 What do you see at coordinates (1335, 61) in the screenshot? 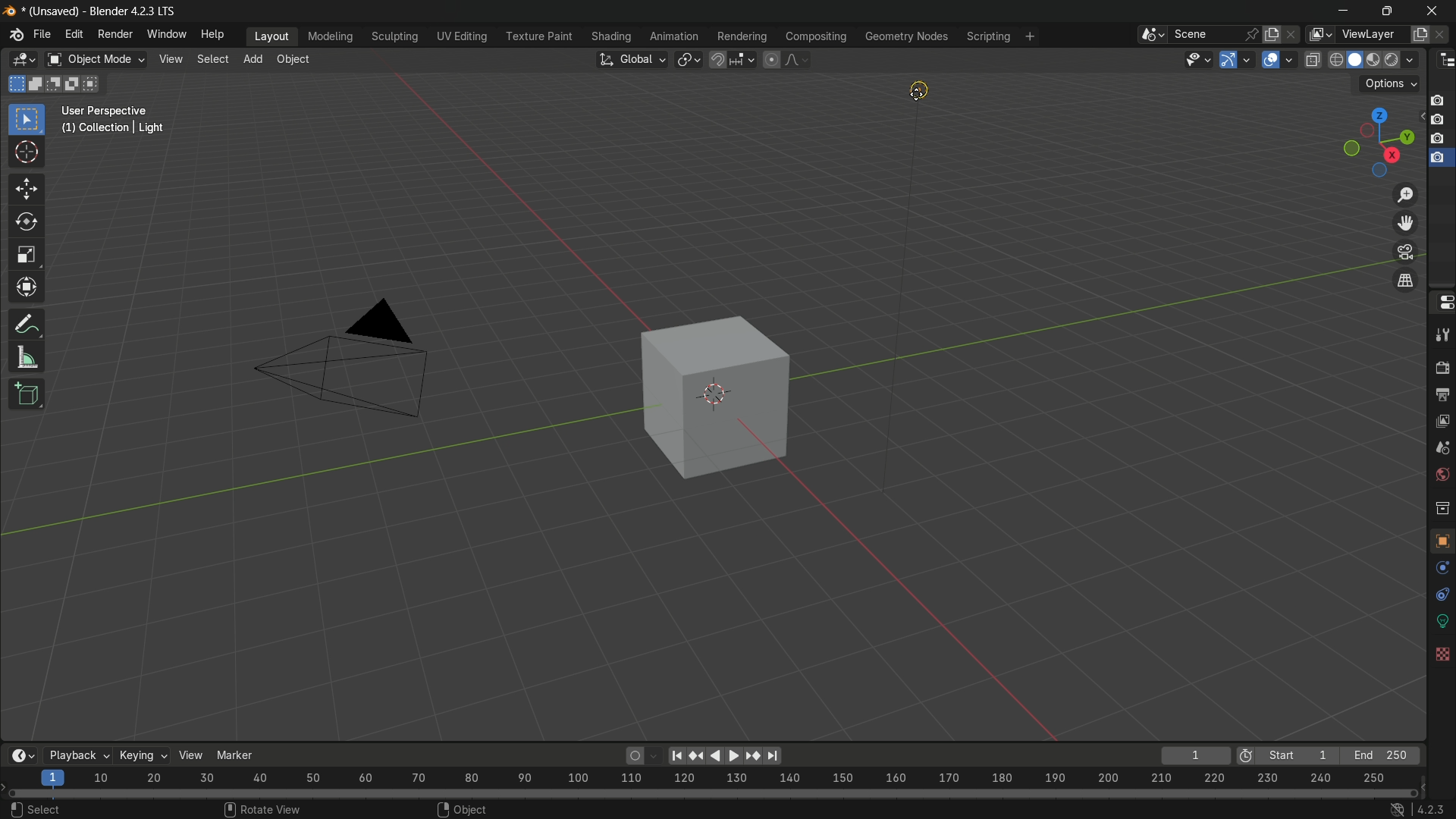
I see `wireframe` at bounding box center [1335, 61].